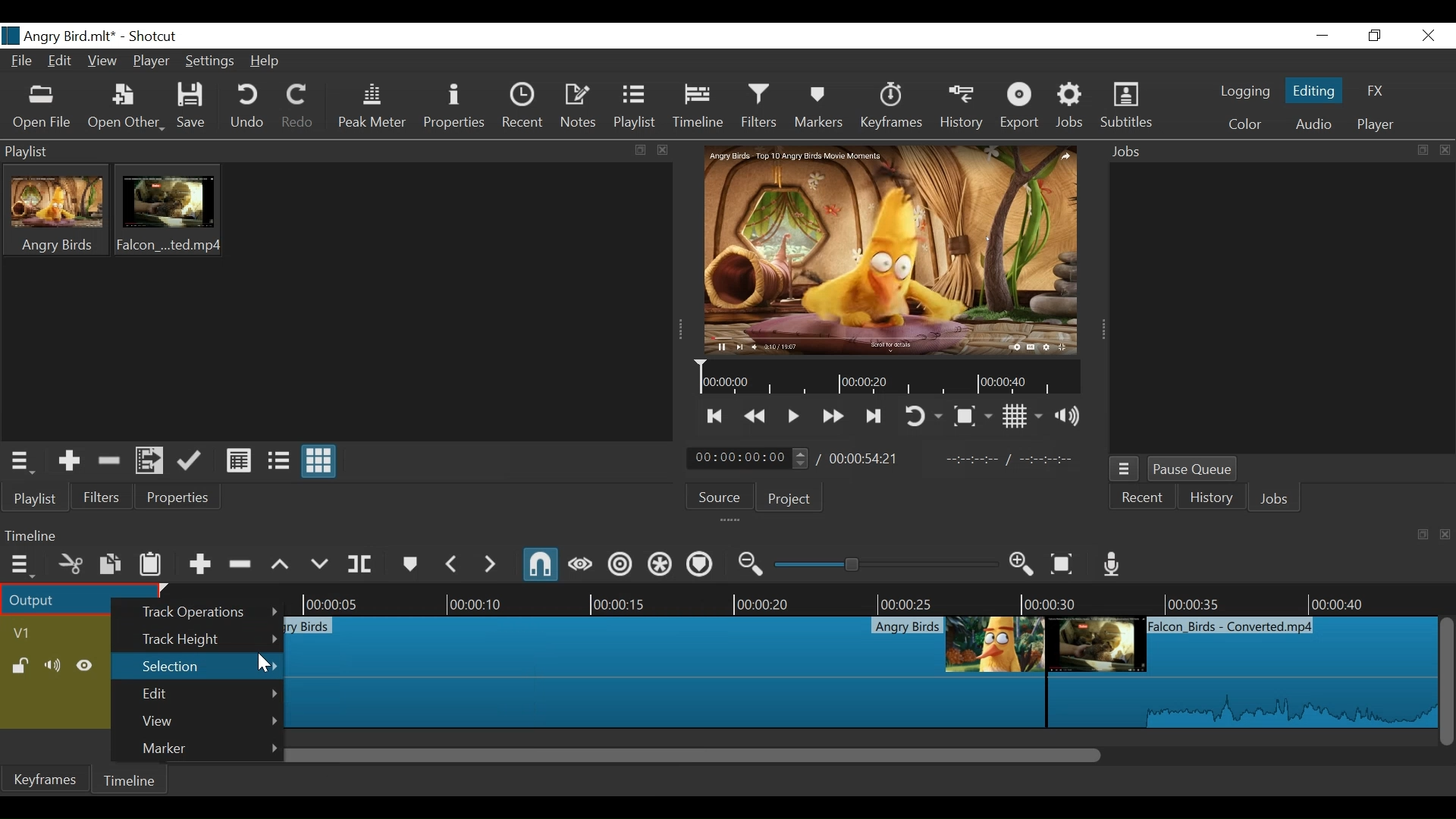 This screenshot has height=819, width=1456. What do you see at coordinates (19, 666) in the screenshot?
I see `(un)lock track` at bounding box center [19, 666].